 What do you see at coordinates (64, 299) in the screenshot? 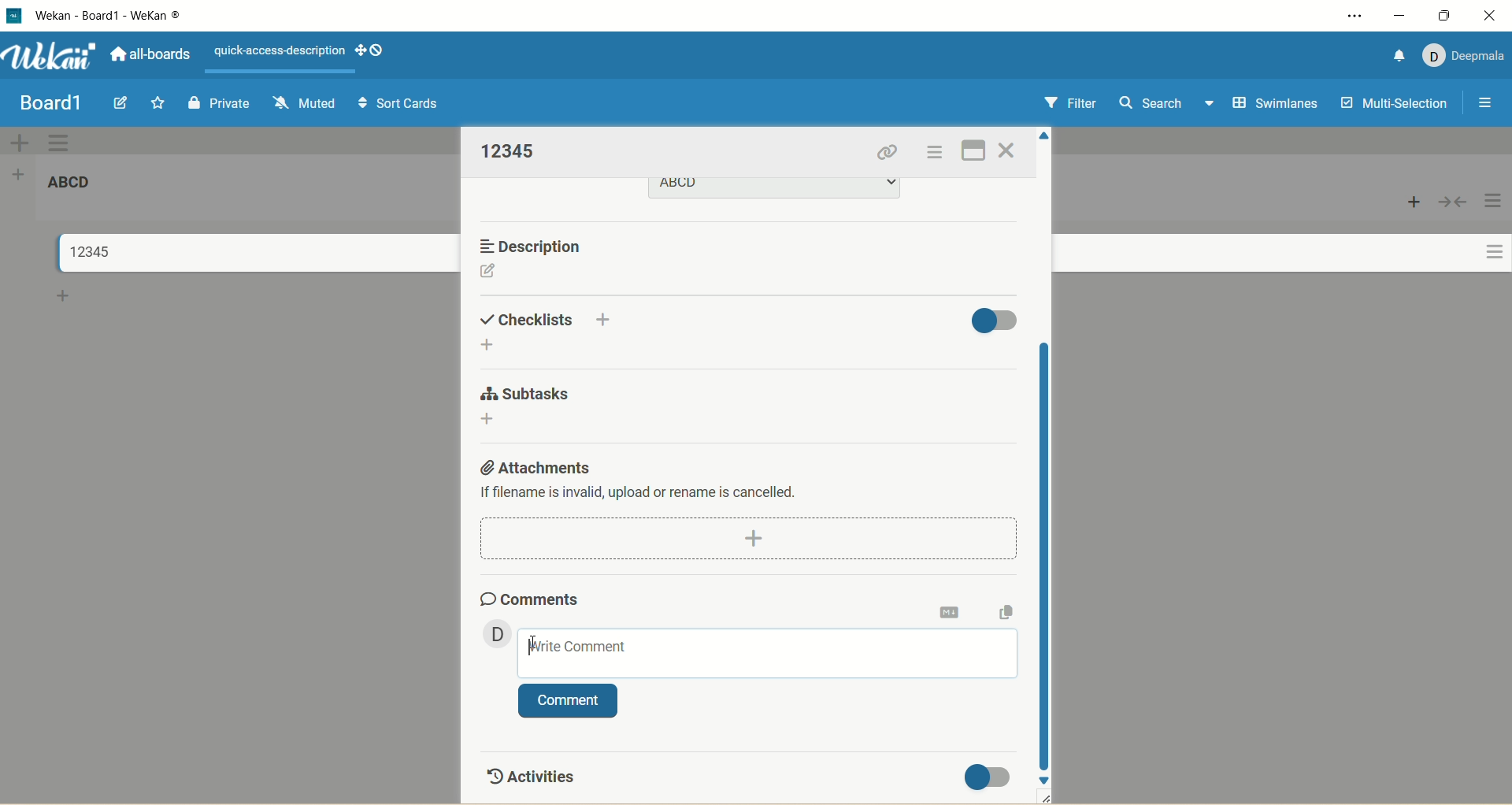
I see `add card` at bounding box center [64, 299].